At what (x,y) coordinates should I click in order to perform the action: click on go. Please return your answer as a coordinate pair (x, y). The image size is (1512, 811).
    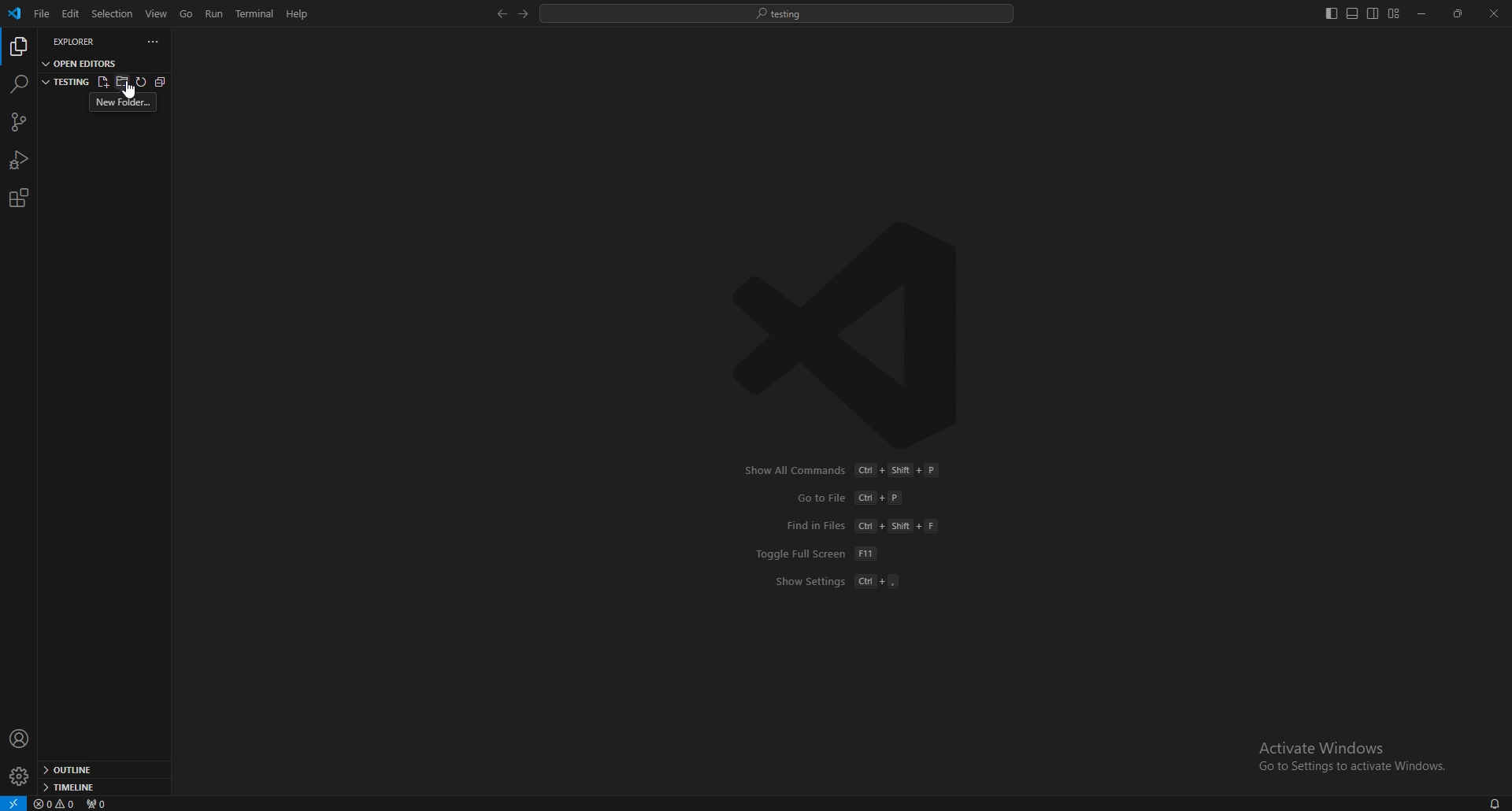
    Looking at the image, I should click on (187, 14).